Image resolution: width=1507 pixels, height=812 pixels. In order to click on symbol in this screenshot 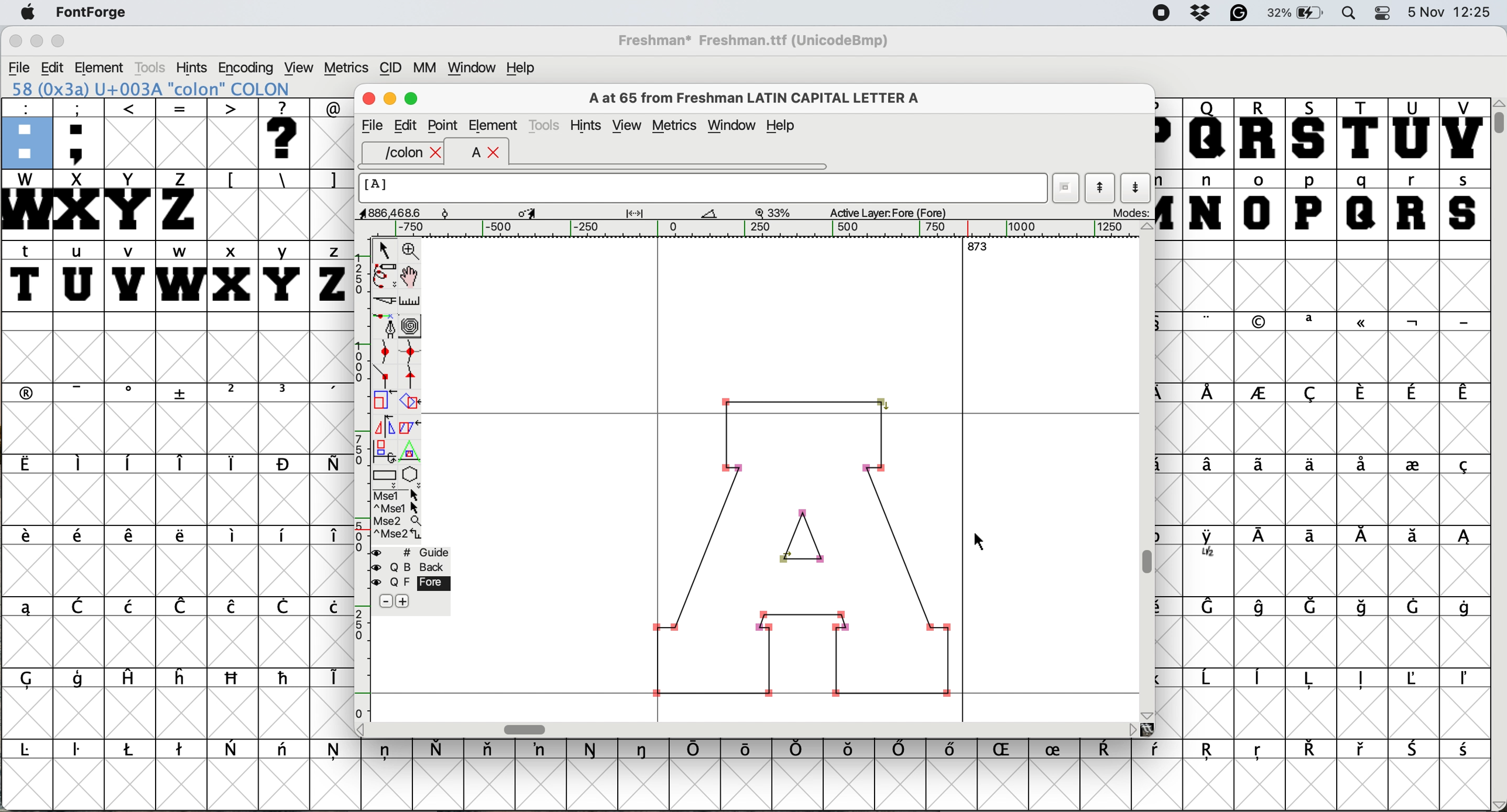, I will do `click(1261, 322)`.